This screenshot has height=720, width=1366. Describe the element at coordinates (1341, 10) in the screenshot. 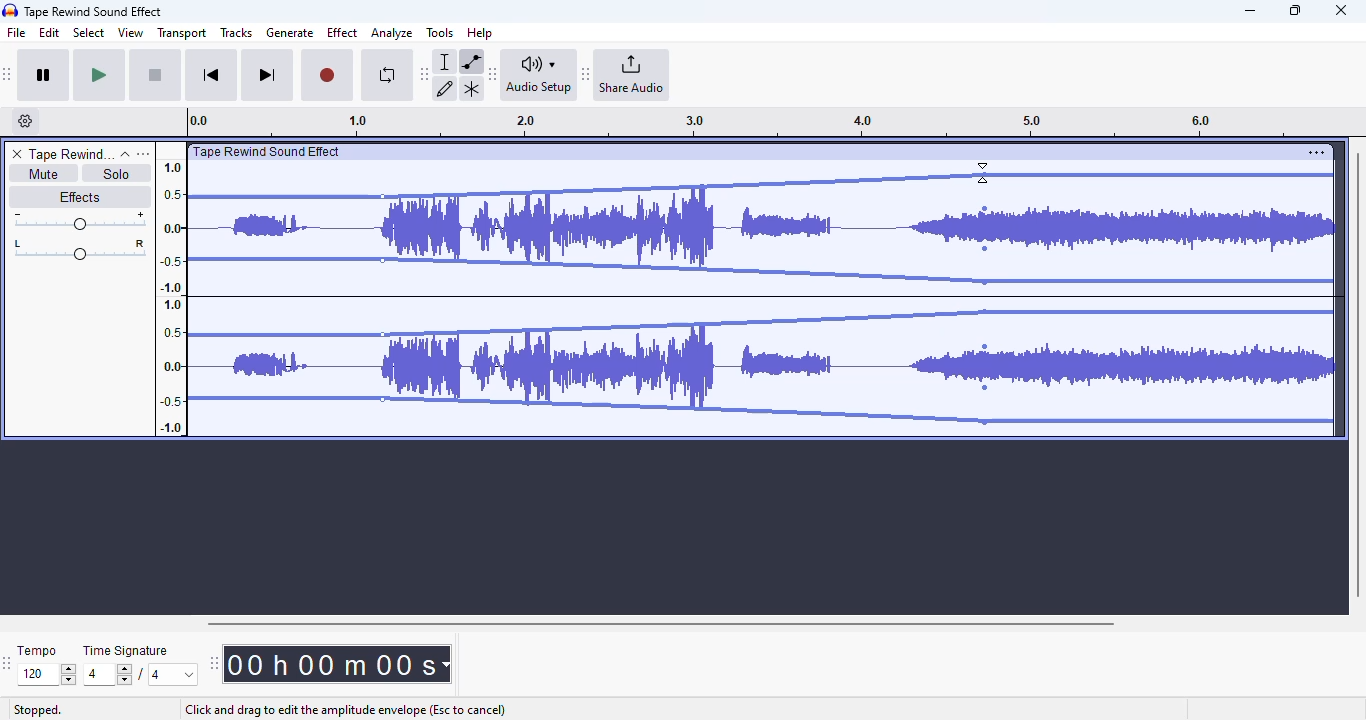

I see `close` at that location.